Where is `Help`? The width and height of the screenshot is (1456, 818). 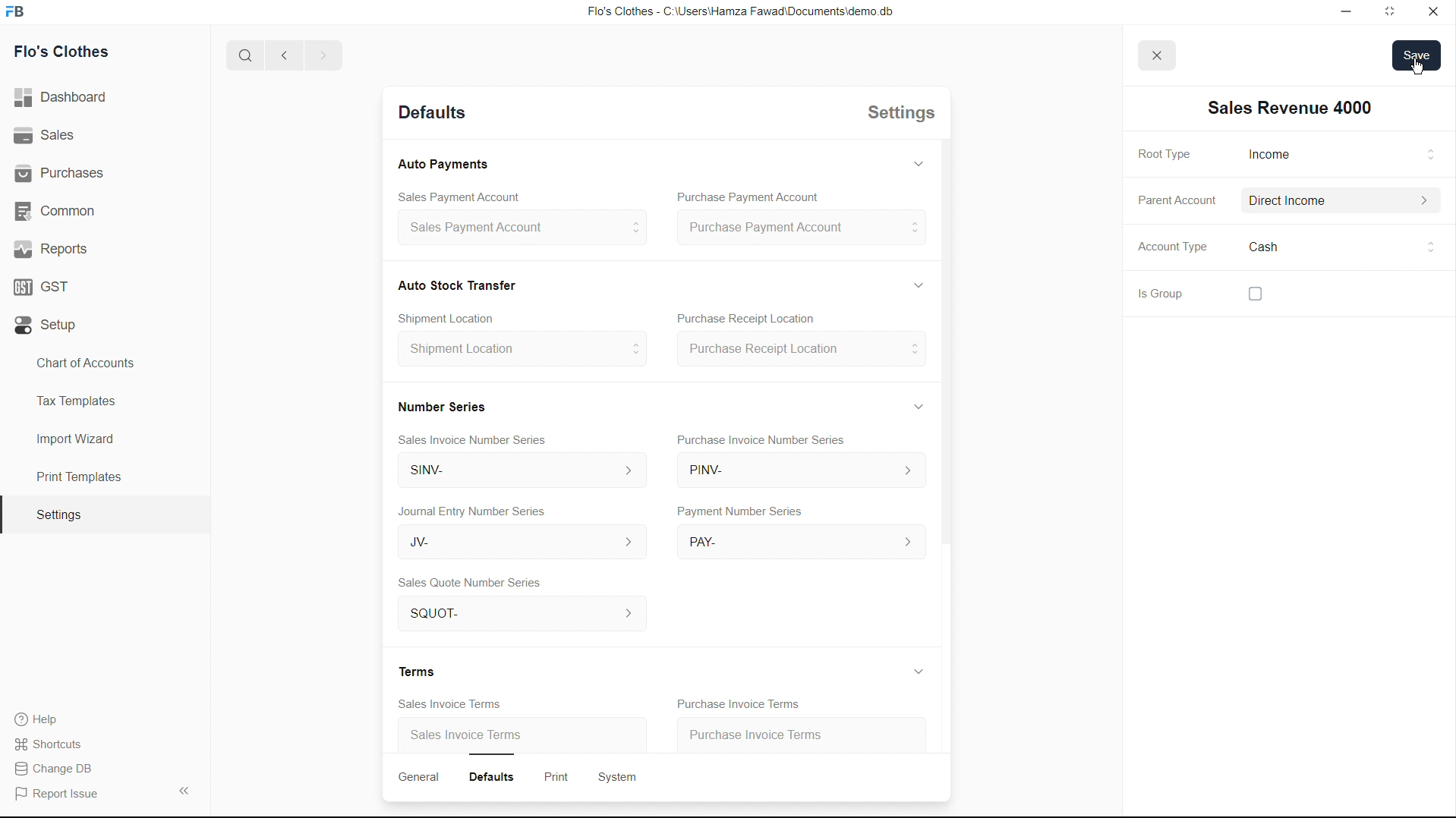
Help is located at coordinates (43, 719).